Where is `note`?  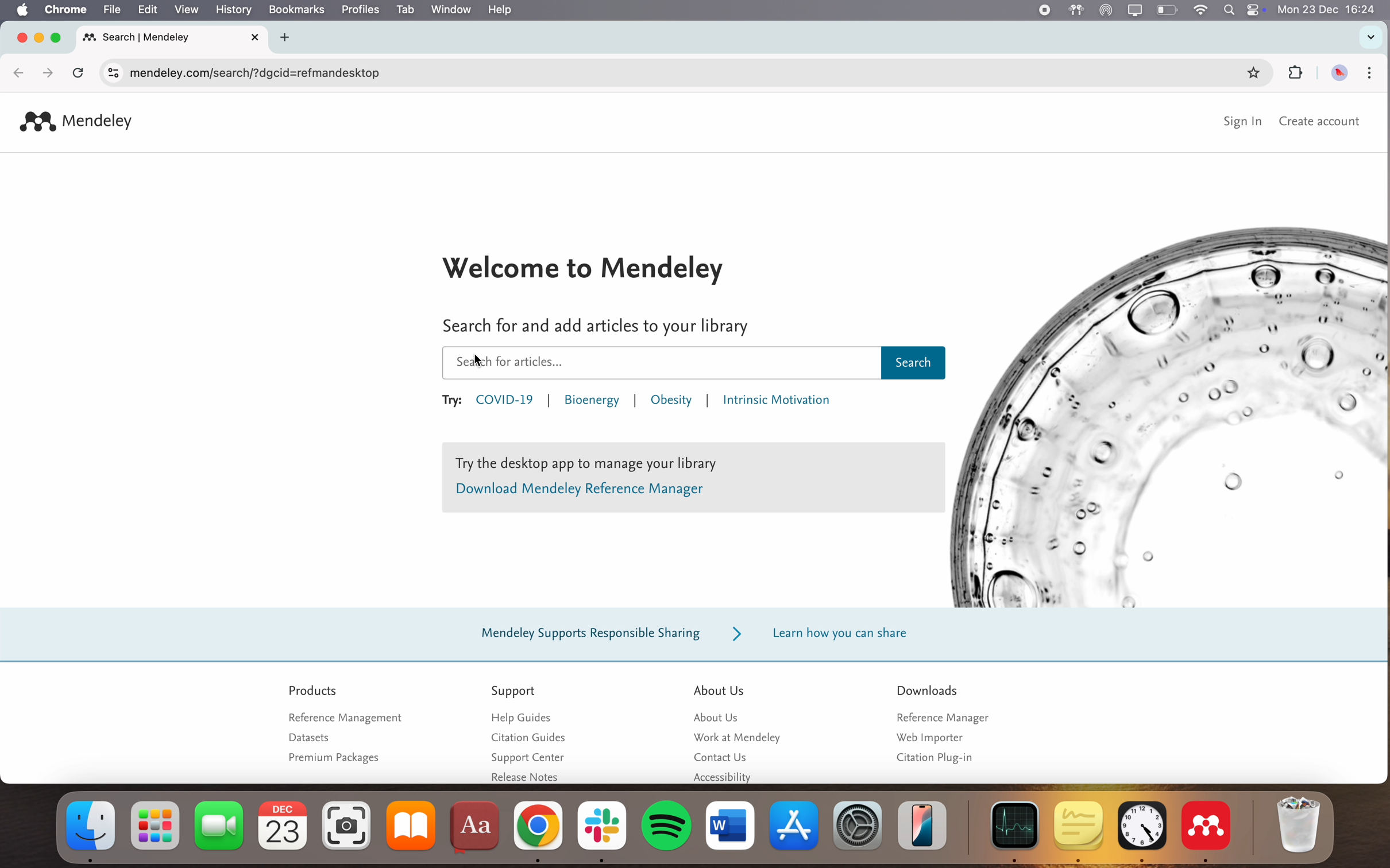
note is located at coordinates (693, 478).